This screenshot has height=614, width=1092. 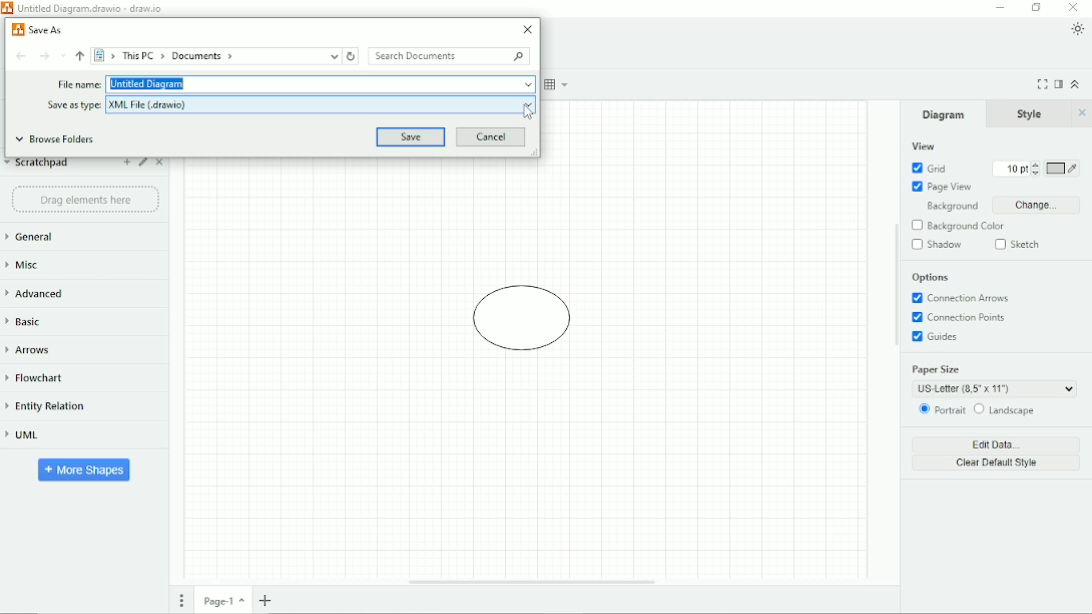 What do you see at coordinates (523, 320) in the screenshot?
I see `Diagram of circle` at bounding box center [523, 320].